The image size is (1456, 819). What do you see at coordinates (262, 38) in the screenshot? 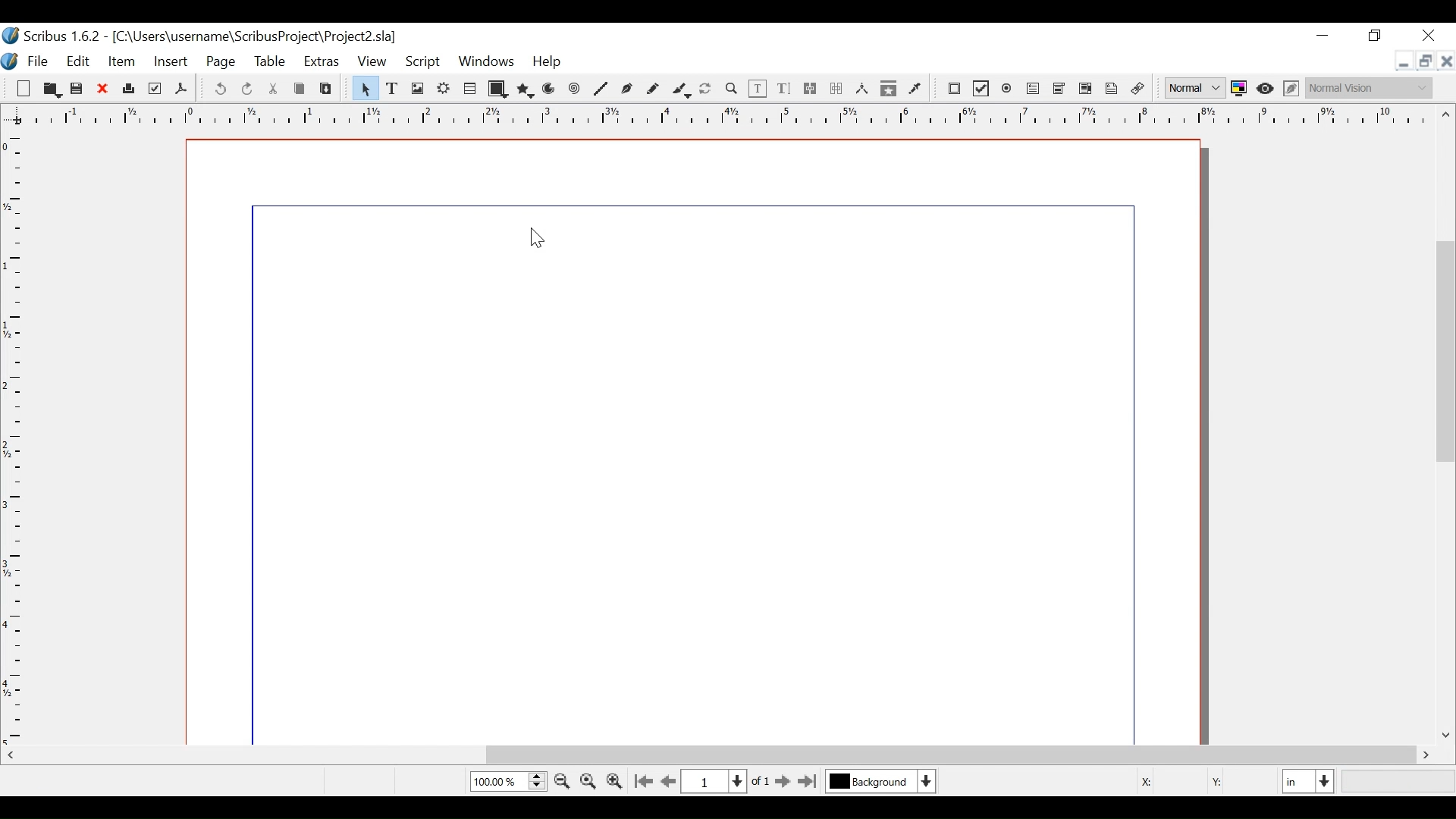
I see `File Path` at bounding box center [262, 38].